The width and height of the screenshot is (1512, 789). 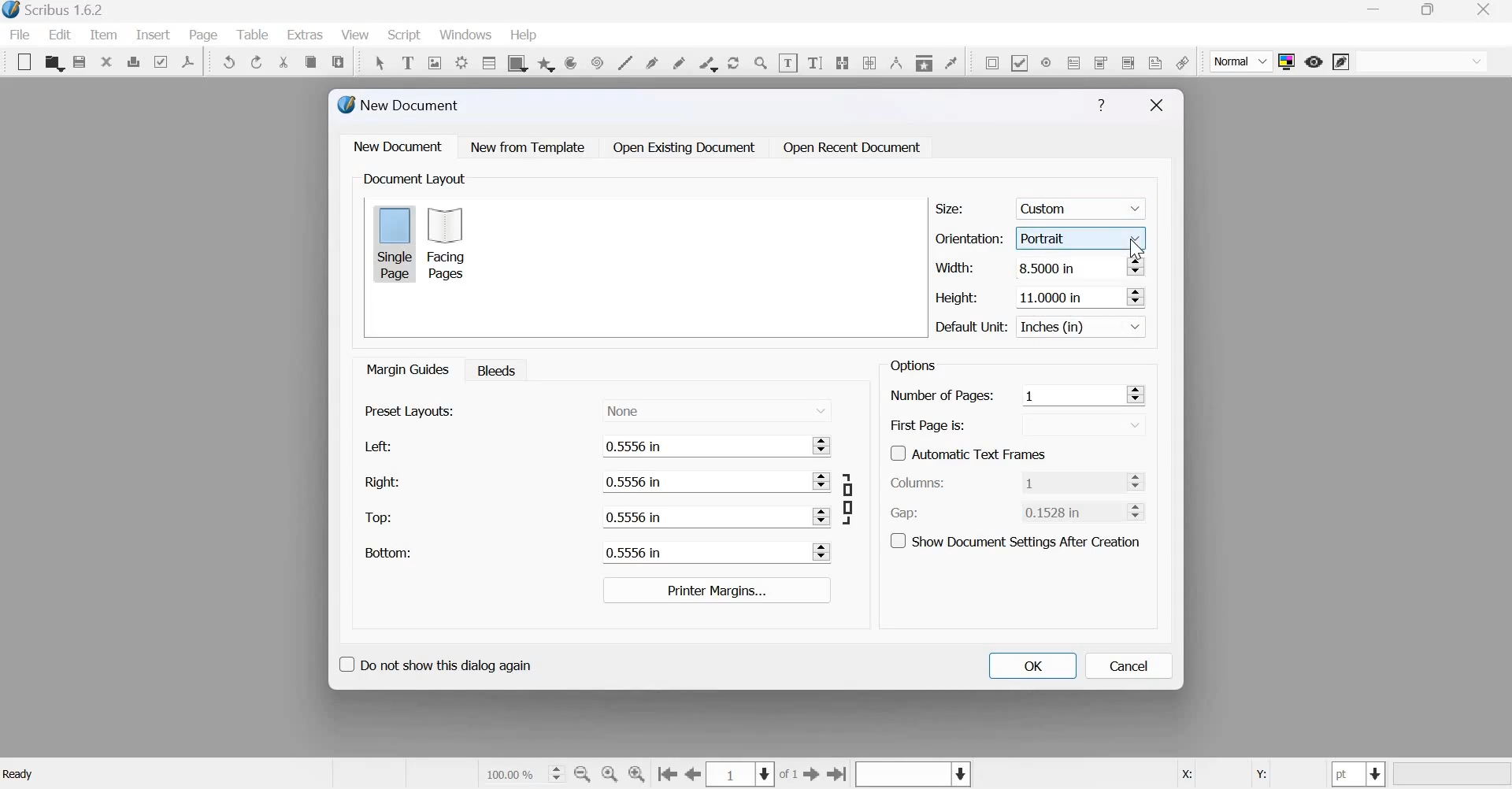 What do you see at coordinates (1084, 206) in the screenshot?
I see `custom` at bounding box center [1084, 206].